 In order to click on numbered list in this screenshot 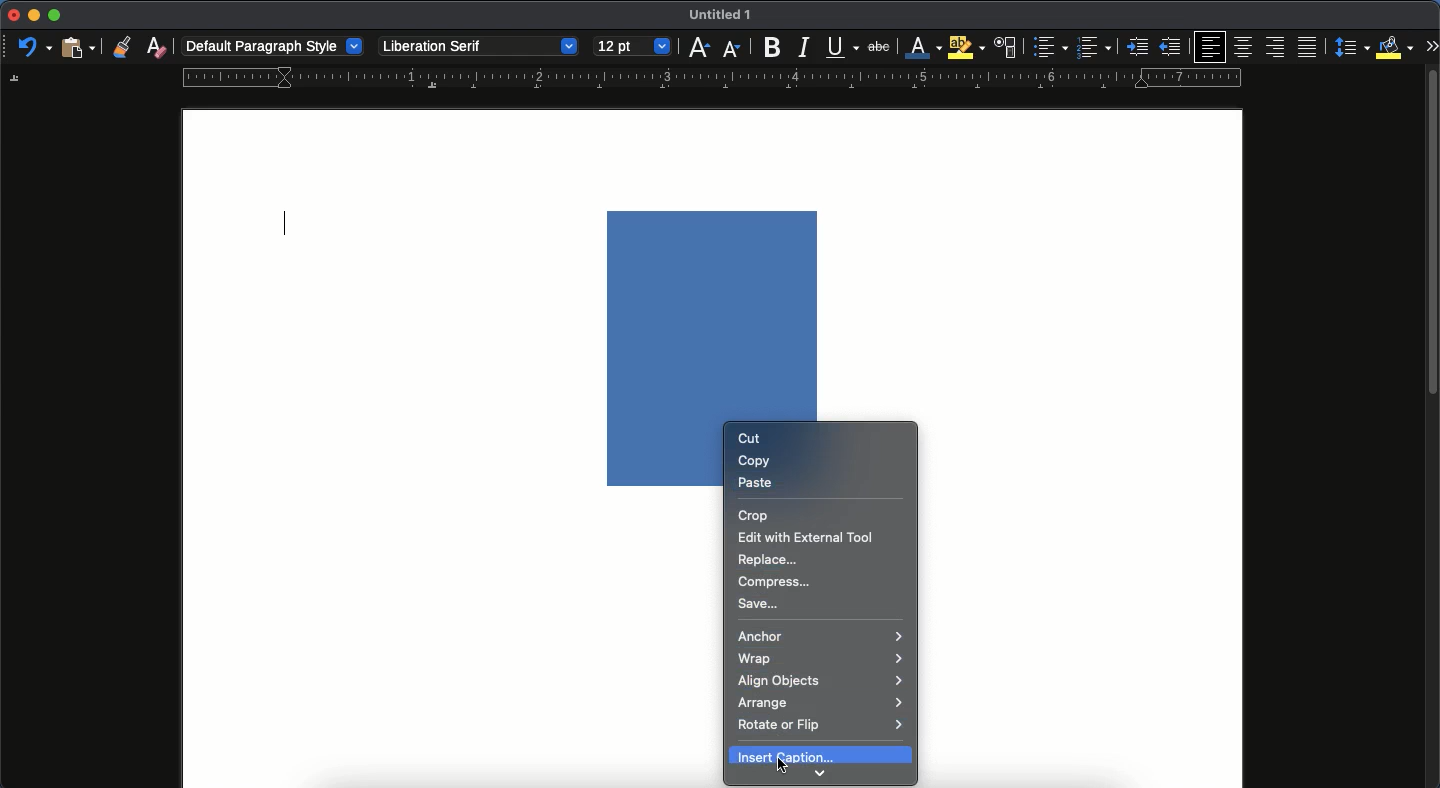, I will do `click(1094, 49)`.